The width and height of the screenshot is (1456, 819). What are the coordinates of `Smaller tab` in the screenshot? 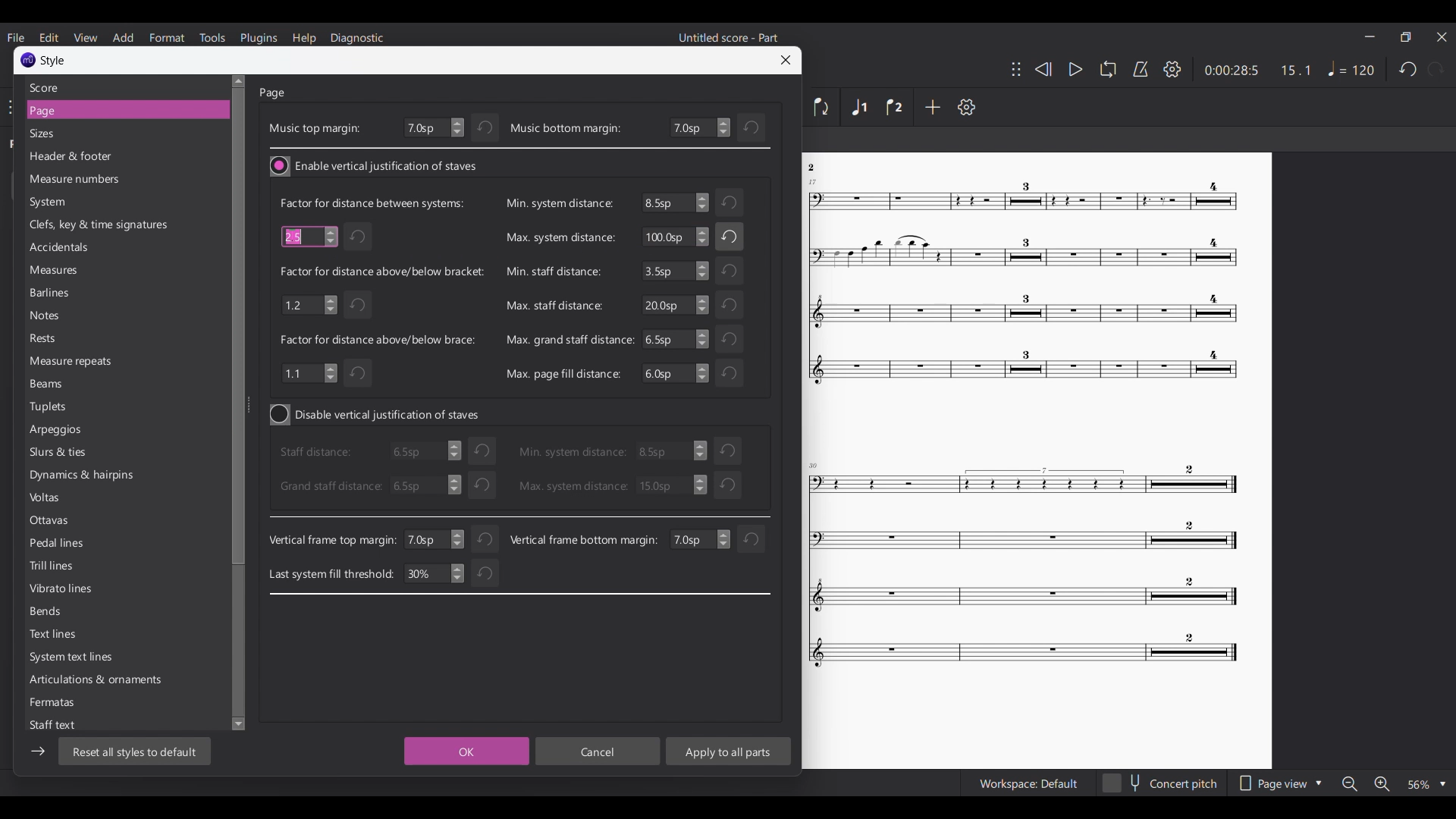 It's located at (1405, 37).